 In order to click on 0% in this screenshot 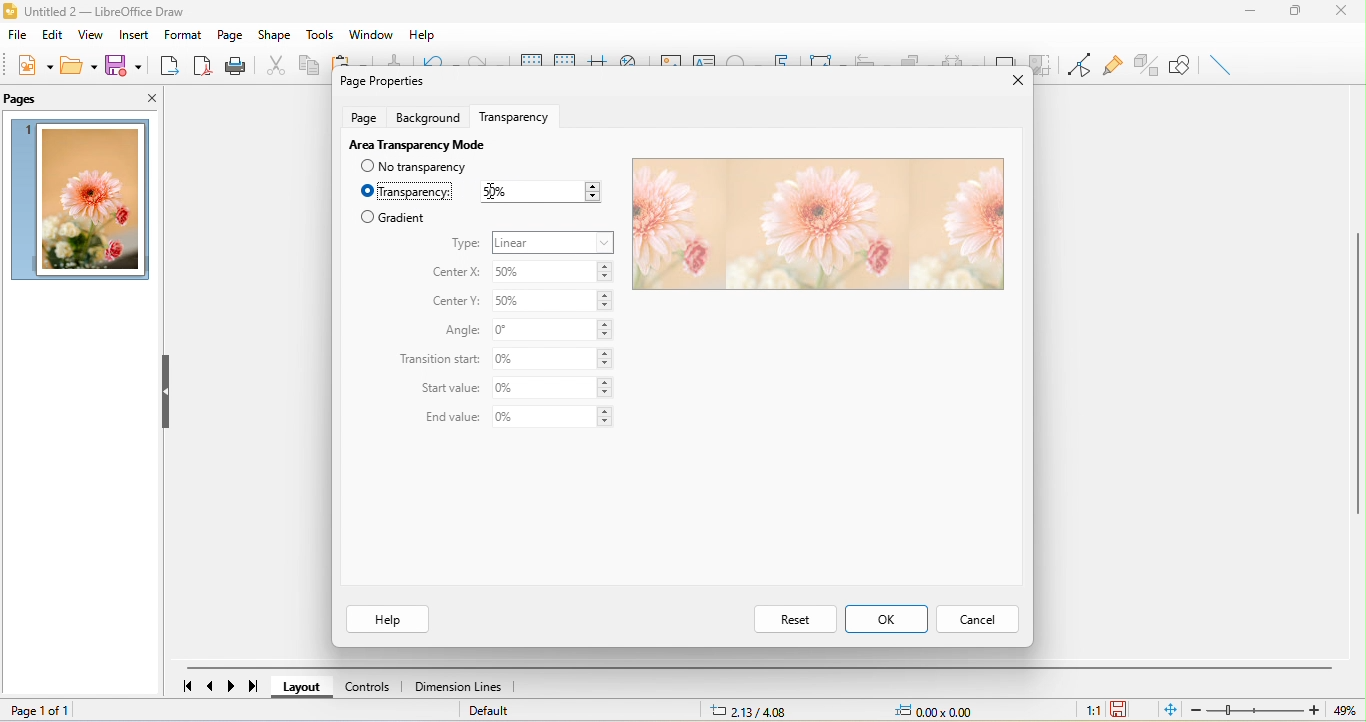, I will do `click(552, 418)`.